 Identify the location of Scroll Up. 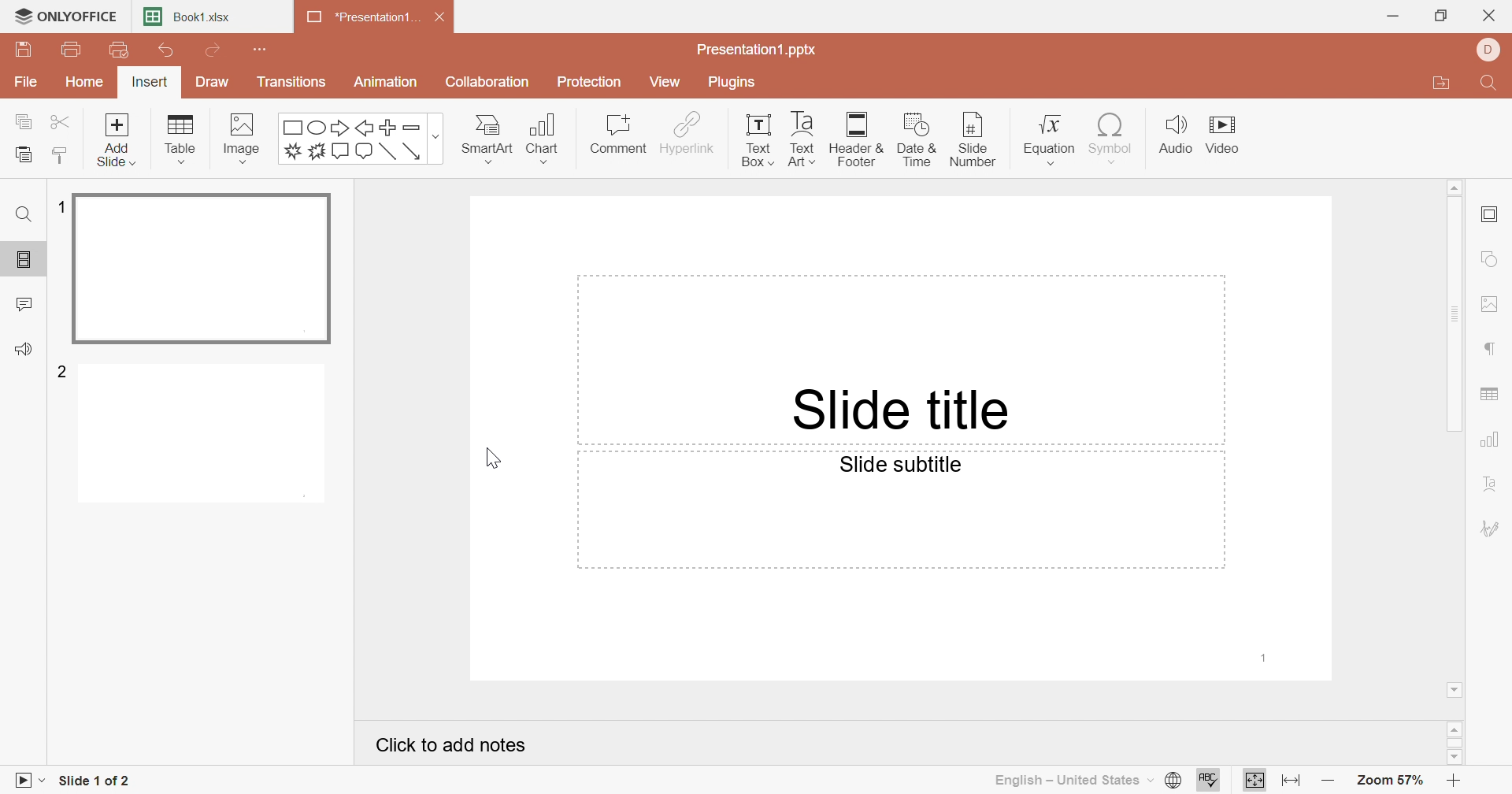
(1458, 727).